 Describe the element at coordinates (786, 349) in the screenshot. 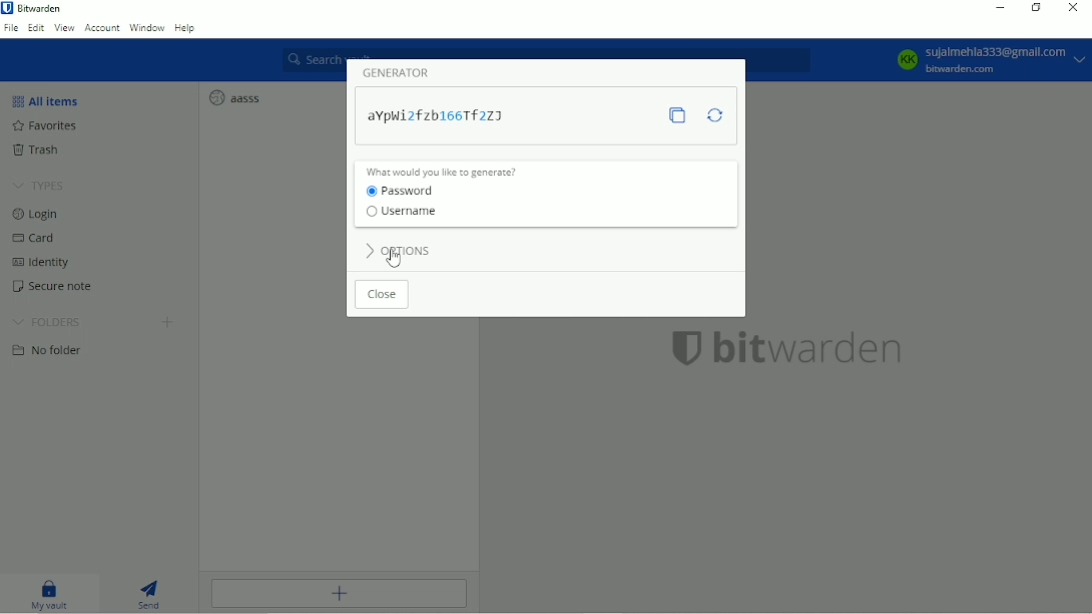

I see `bitwarden` at that location.